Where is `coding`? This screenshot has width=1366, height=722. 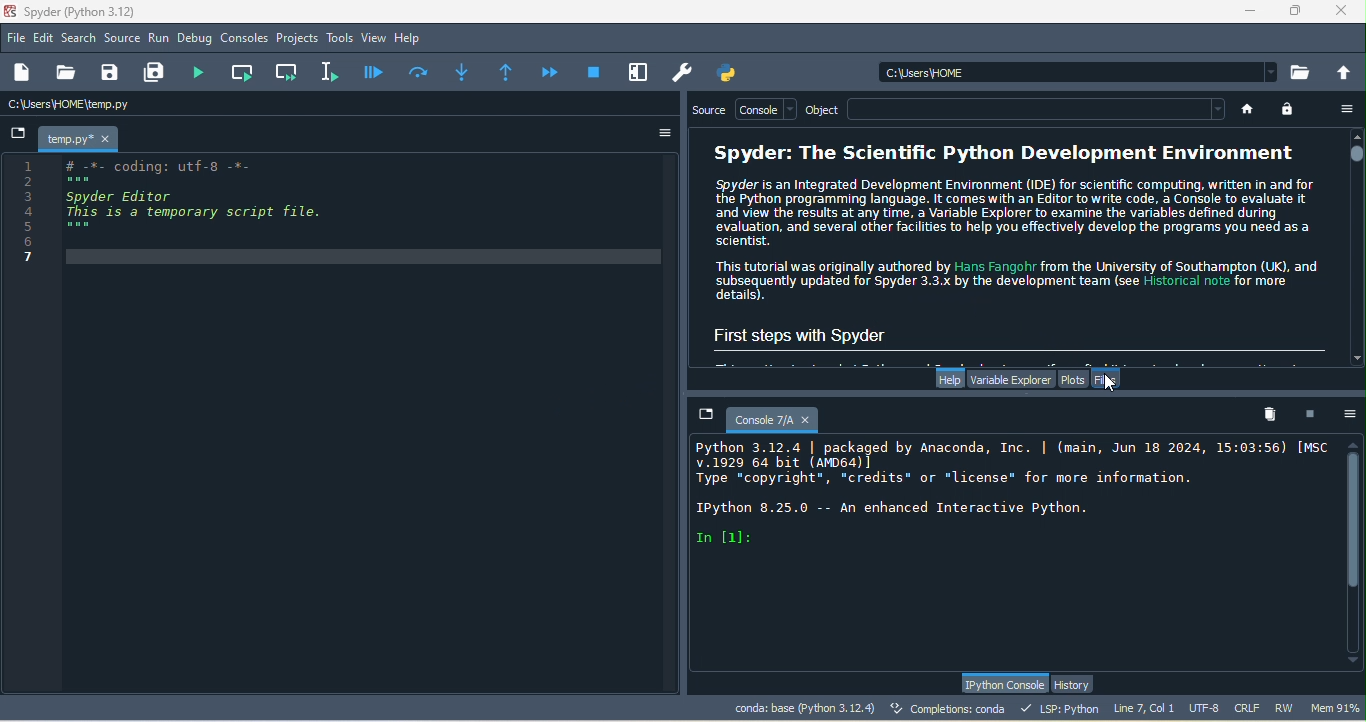
coding is located at coordinates (179, 216).